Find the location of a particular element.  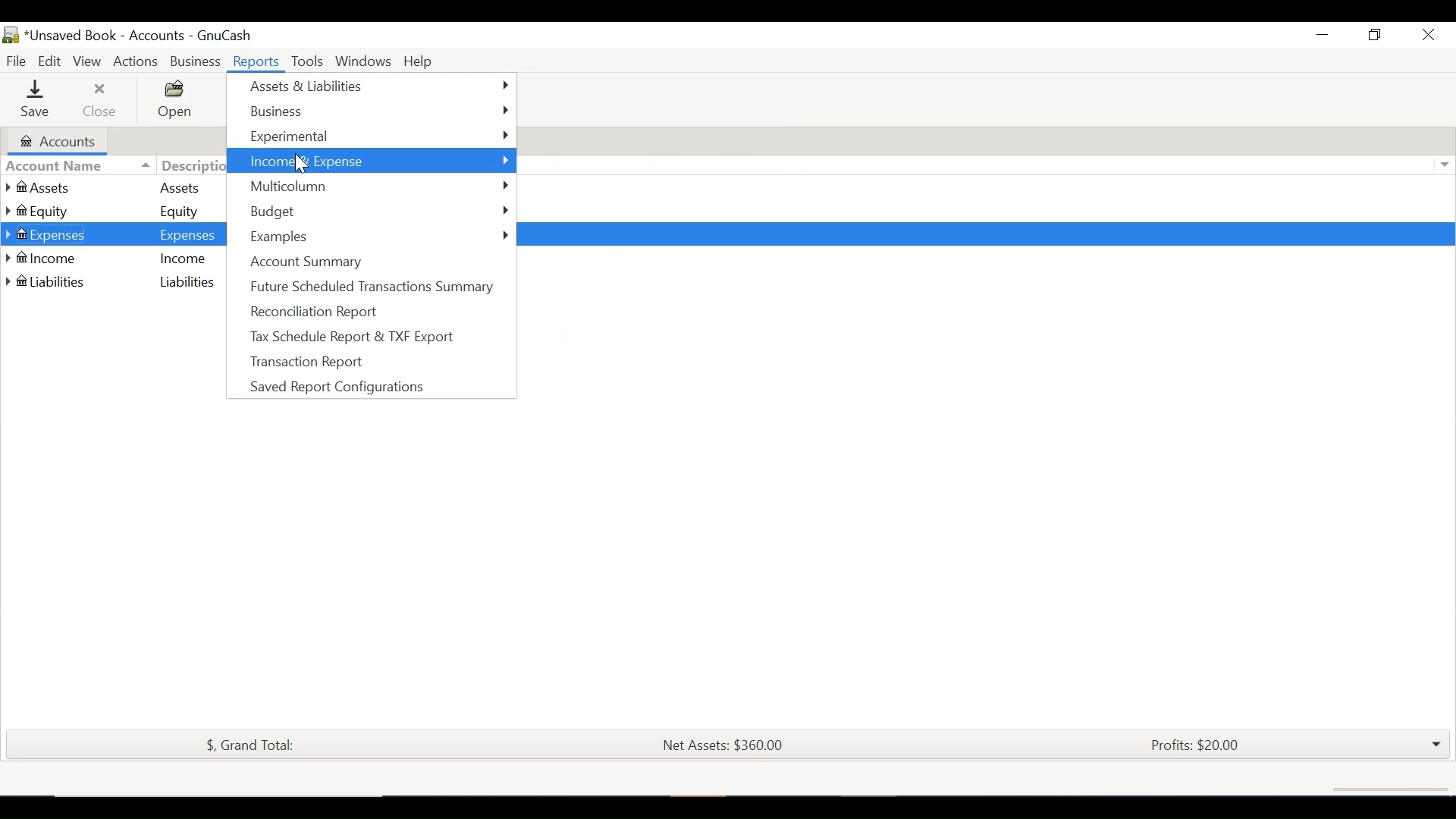

Save is located at coordinates (40, 99).